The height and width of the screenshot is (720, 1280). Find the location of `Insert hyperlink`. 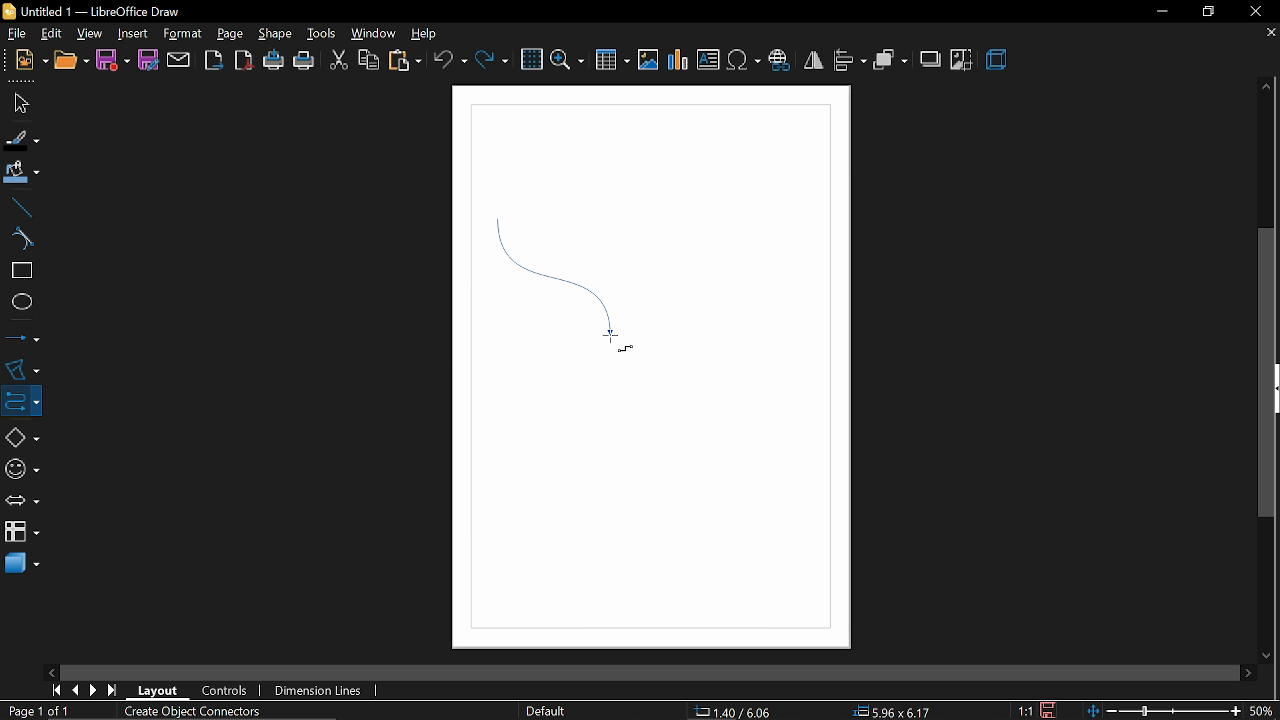

Insert hyperlink is located at coordinates (779, 62).